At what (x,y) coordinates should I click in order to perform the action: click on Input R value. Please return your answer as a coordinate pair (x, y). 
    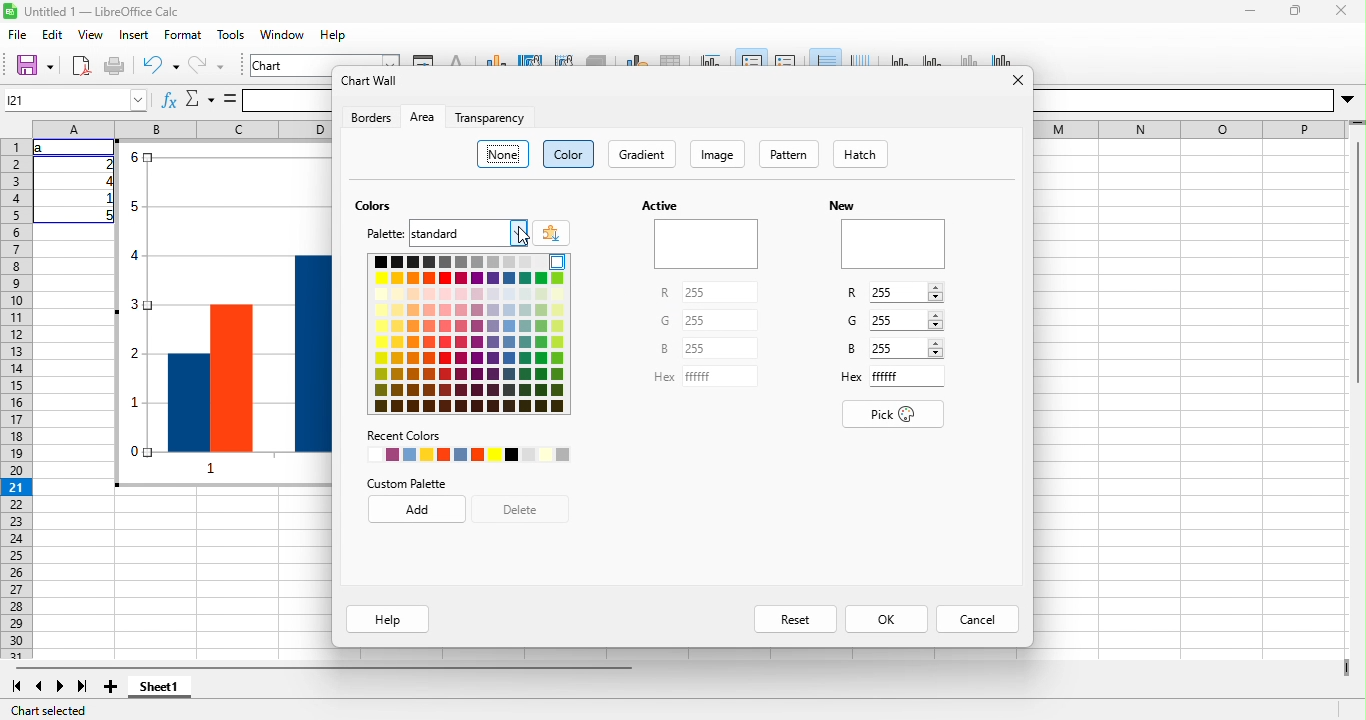
    Looking at the image, I should click on (898, 292).